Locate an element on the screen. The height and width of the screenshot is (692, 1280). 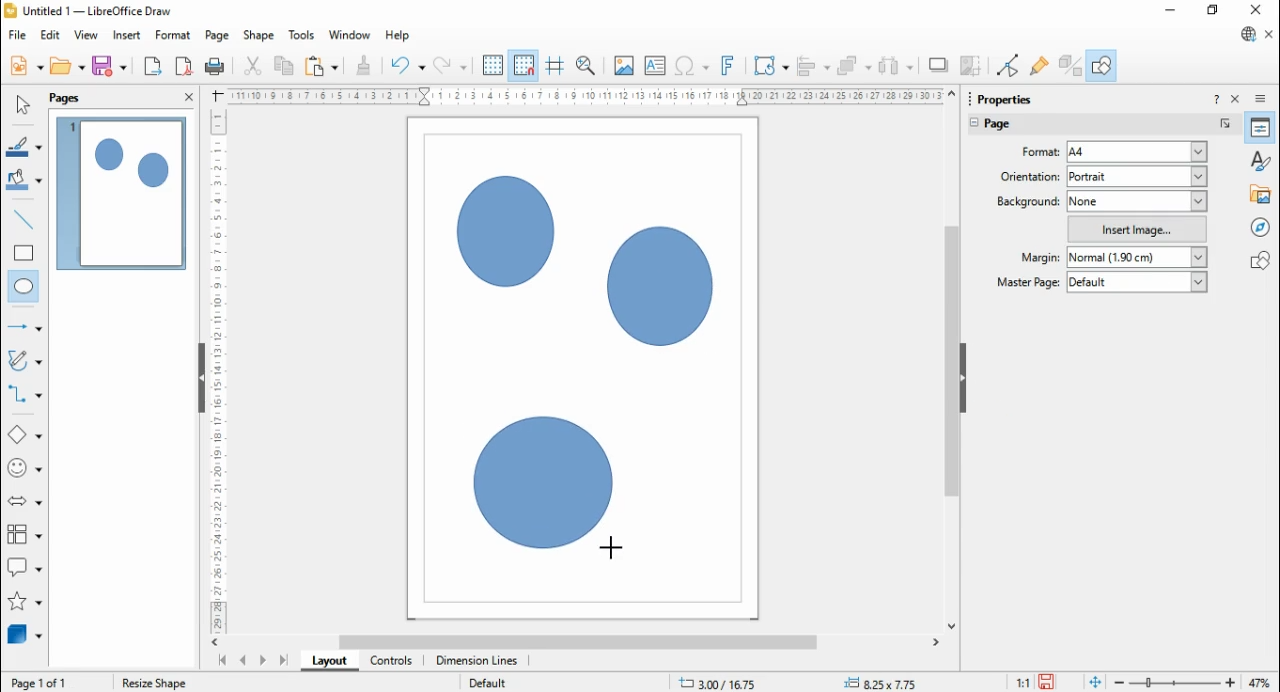
export directly as PDF is located at coordinates (183, 66).